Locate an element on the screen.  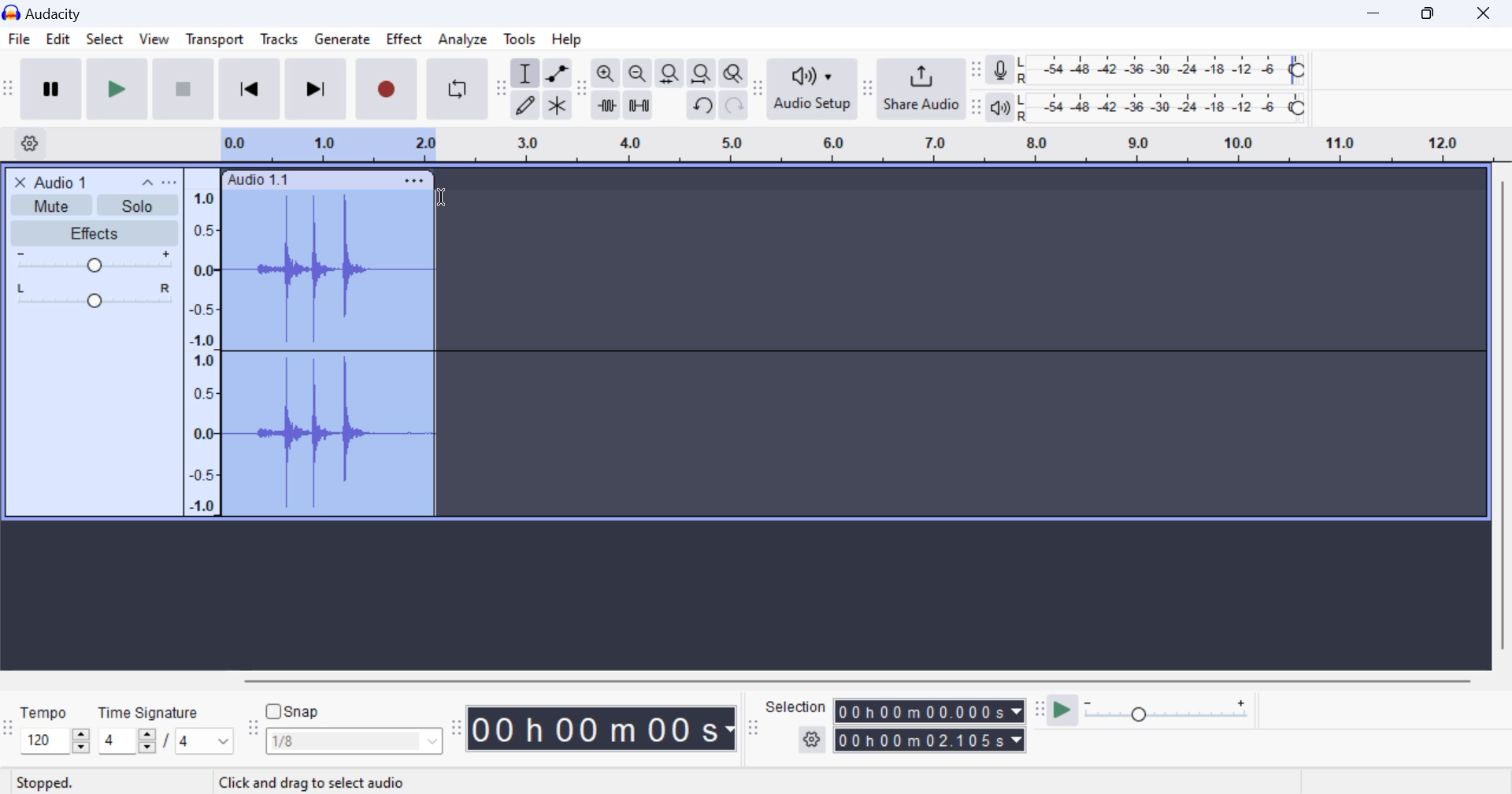
horizontal scrollbar is located at coordinates (873, 678).